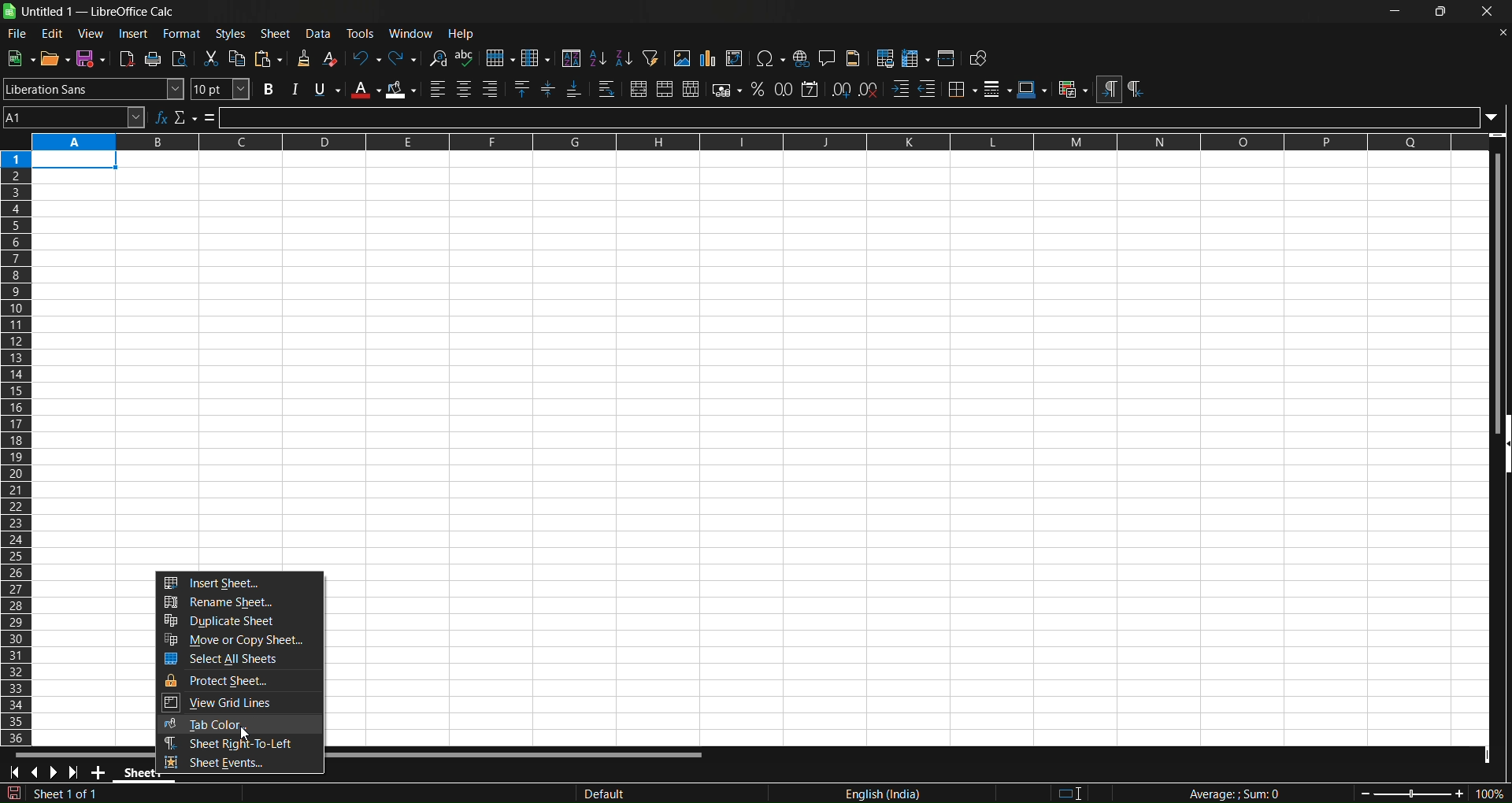 The width and height of the screenshot is (1512, 803). Describe the element at coordinates (597, 57) in the screenshot. I see `sort ascending` at that location.